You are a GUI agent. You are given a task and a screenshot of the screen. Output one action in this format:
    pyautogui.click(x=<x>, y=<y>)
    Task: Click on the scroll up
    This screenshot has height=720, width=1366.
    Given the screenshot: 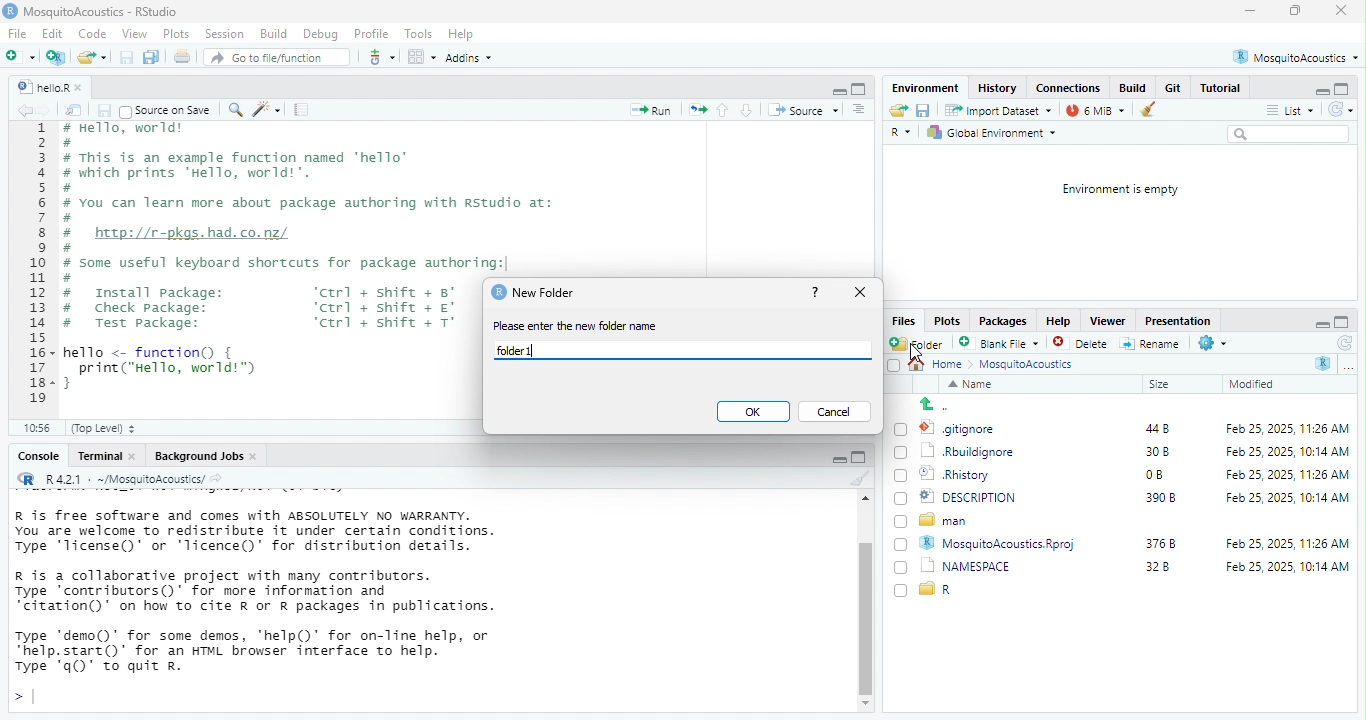 What is the action you would take?
    pyautogui.click(x=863, y=500)
    